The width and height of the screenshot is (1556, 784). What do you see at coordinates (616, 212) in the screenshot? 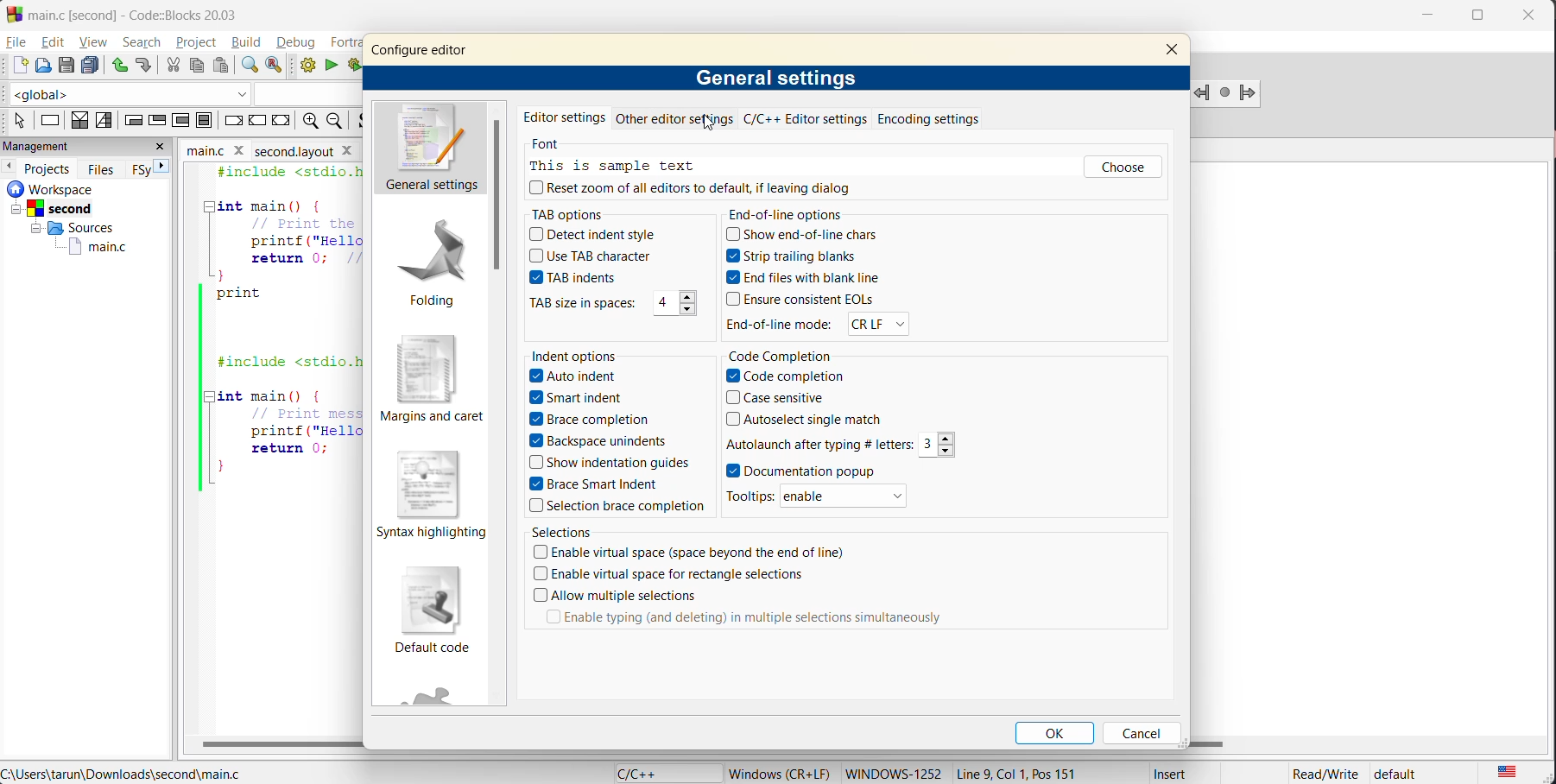
I see `tab options` at bounding box center [616, 212].